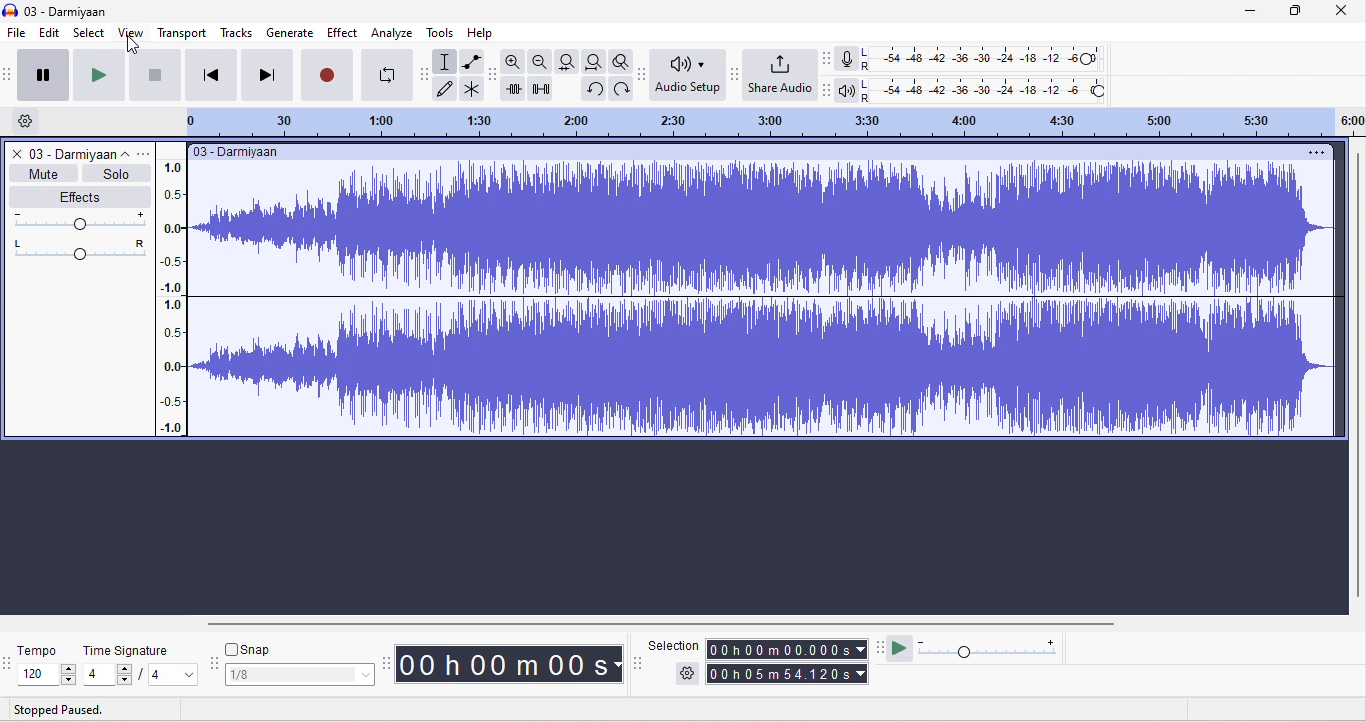  What do you see at coordinates (493, 75) in the screenshot?
I see `audacity edit toolbar` at bounding box center [493, 75].